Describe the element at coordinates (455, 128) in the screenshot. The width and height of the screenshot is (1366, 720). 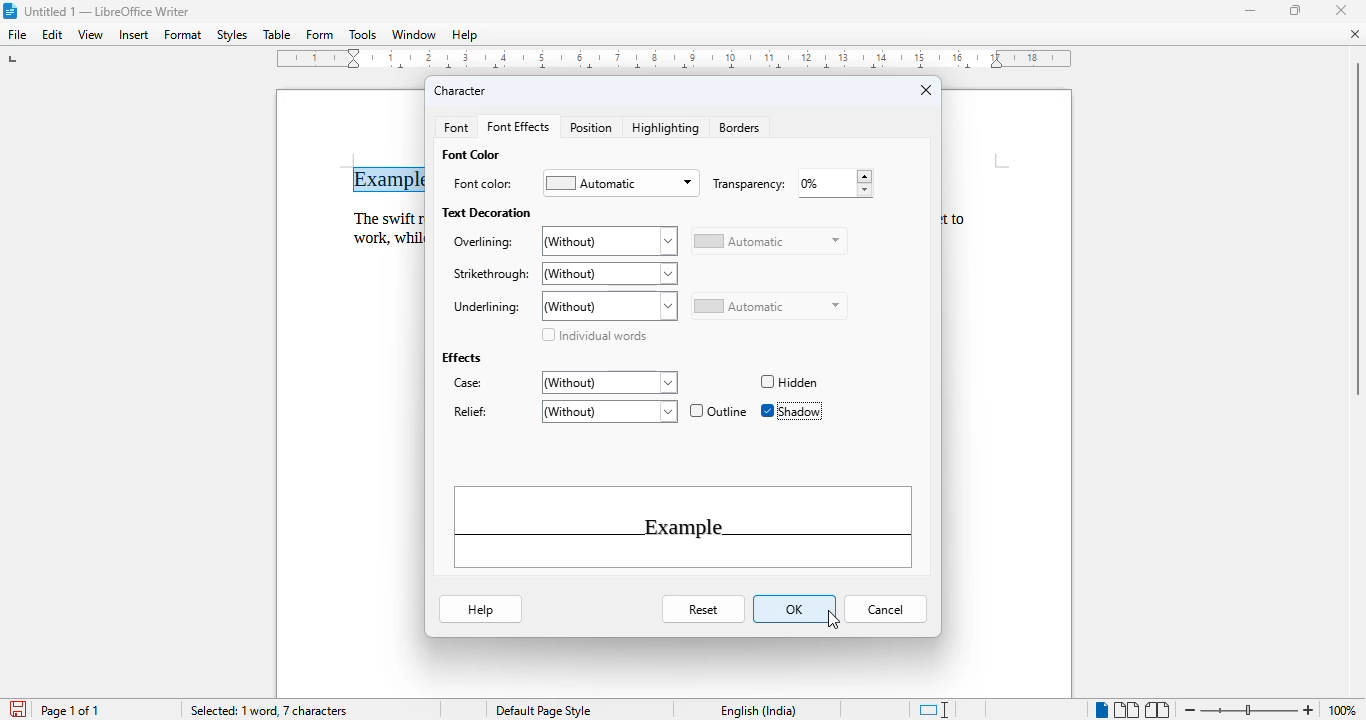
I see `font` at that location.